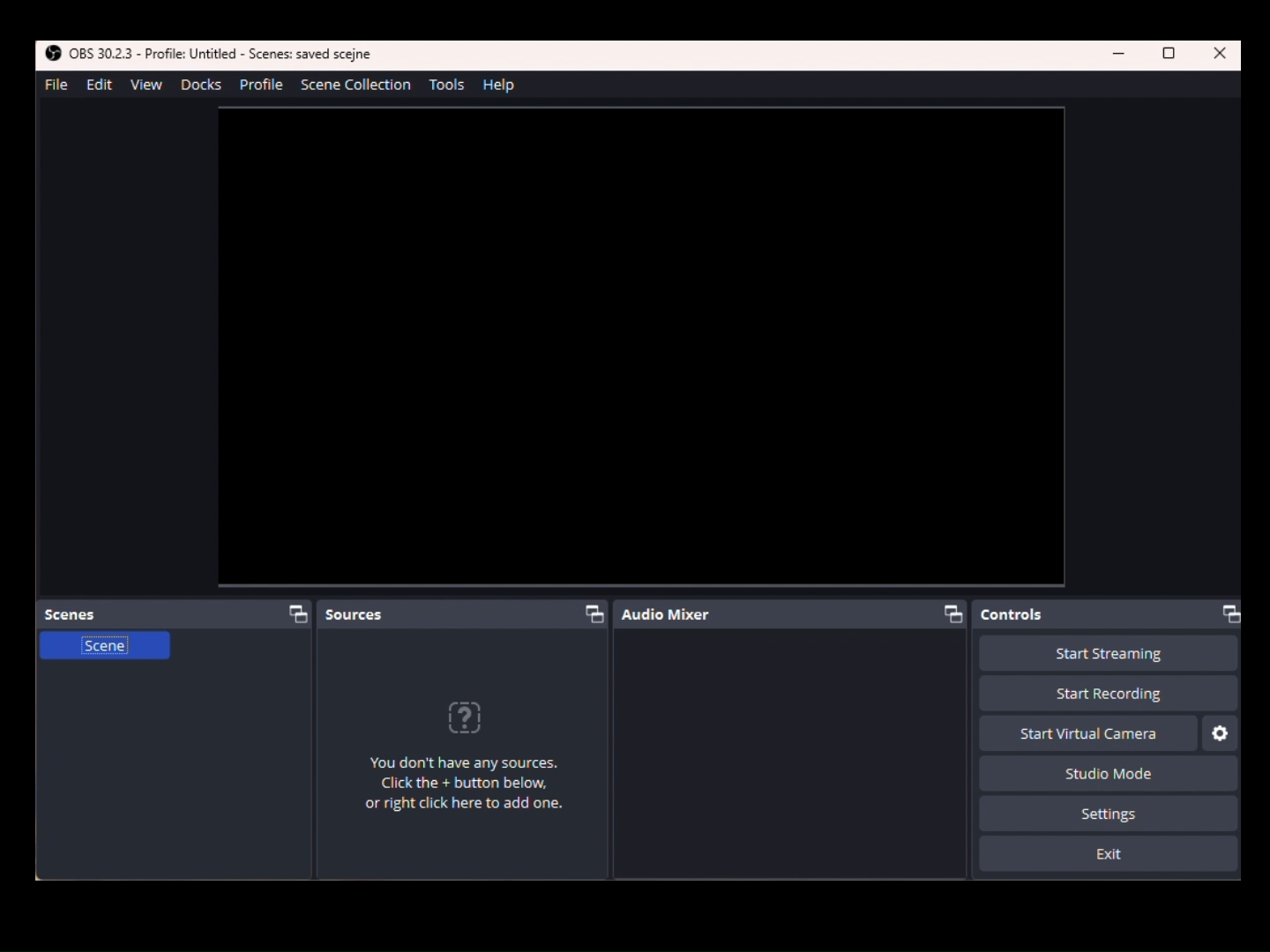  I want to click on File, so click(55, 84).